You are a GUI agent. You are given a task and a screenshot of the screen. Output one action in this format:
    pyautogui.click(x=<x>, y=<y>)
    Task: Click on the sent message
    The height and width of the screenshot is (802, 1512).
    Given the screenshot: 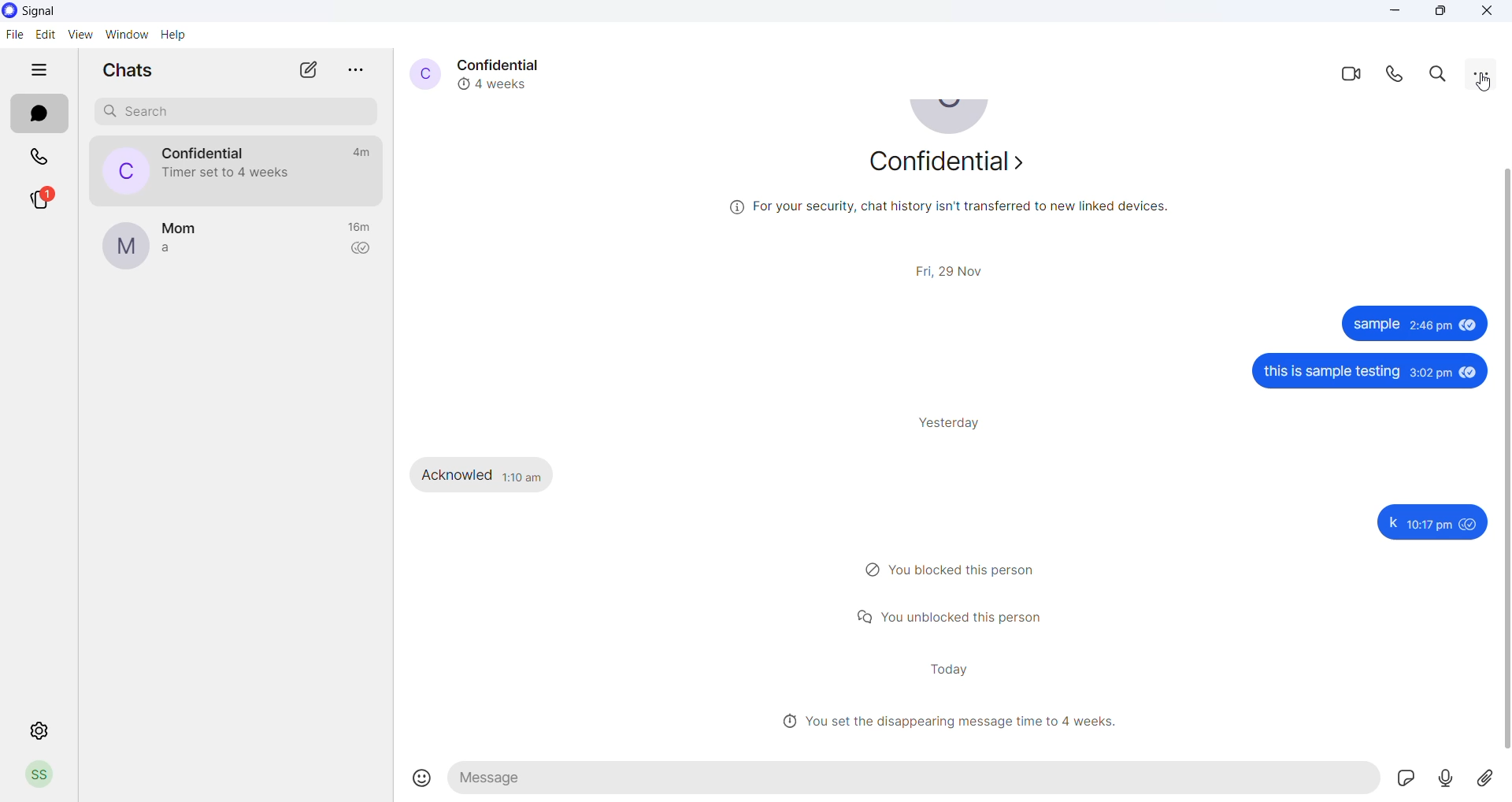 What is the action you would take?
    pyautogui.click(x=1410, y=325)
    